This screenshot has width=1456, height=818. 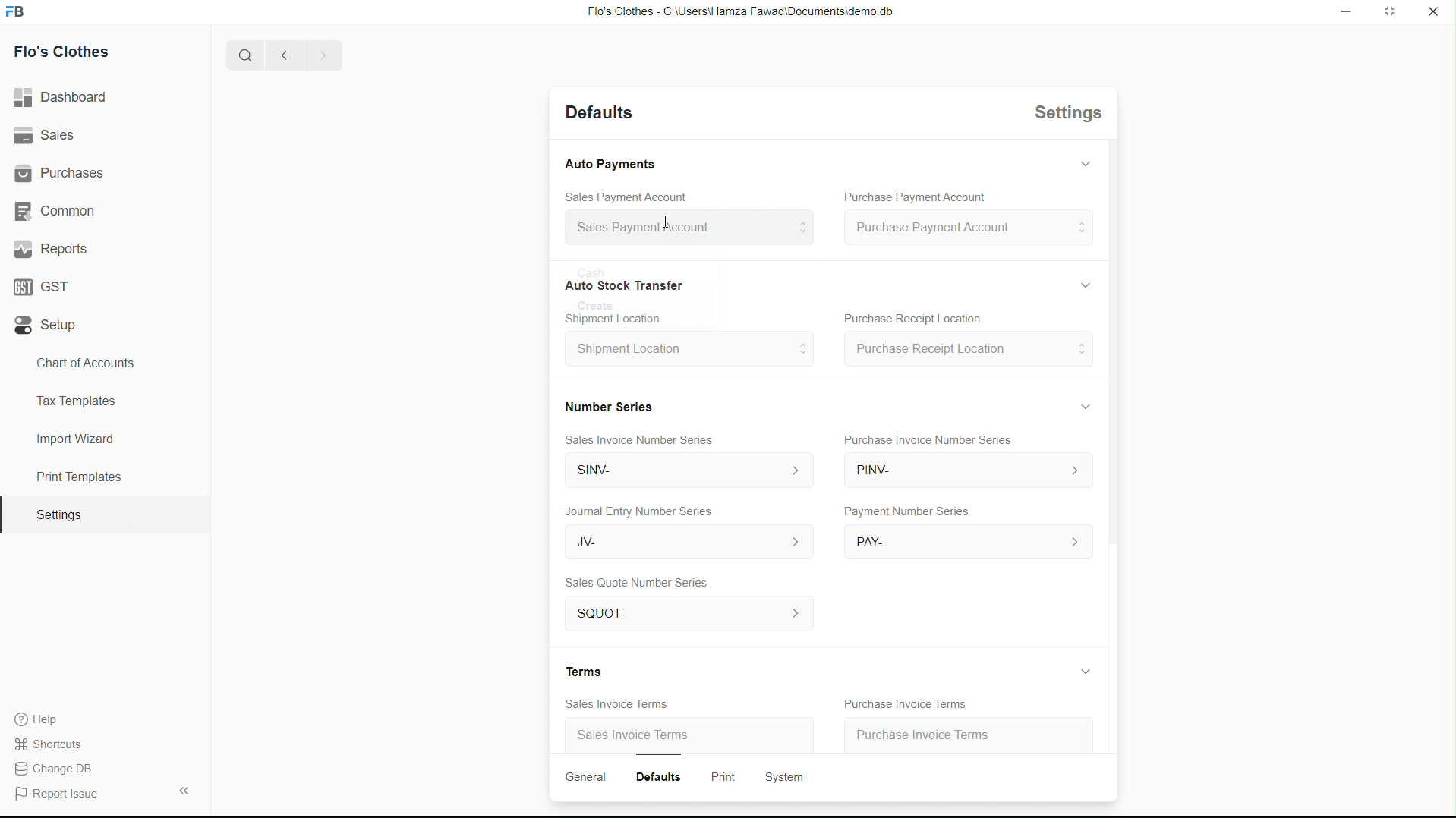 I want to click on Settings, so click(x=1071, y=115).